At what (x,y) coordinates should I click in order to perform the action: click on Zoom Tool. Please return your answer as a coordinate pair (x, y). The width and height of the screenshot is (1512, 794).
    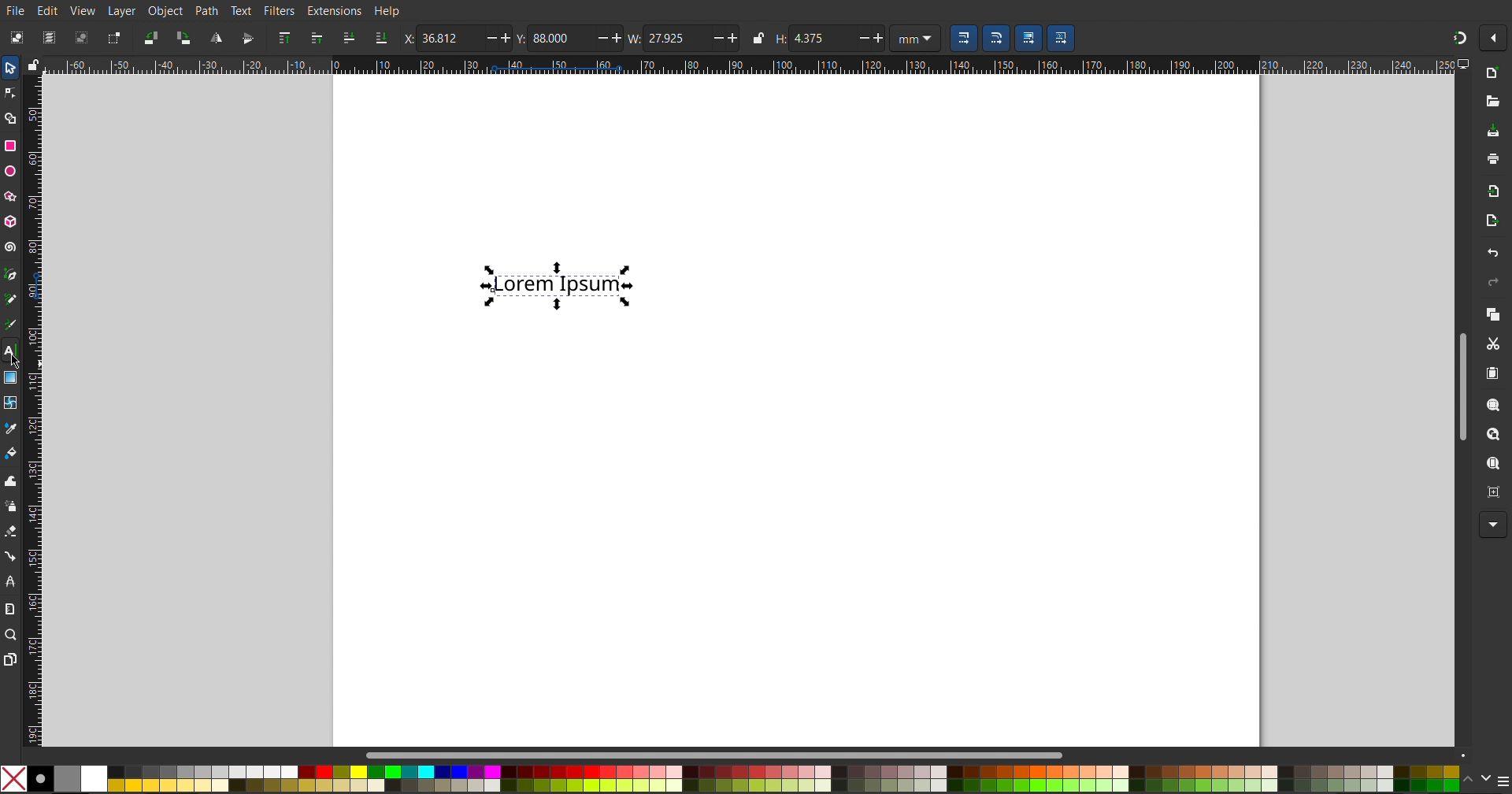
    Looking at the image, I should click on (13, 636).